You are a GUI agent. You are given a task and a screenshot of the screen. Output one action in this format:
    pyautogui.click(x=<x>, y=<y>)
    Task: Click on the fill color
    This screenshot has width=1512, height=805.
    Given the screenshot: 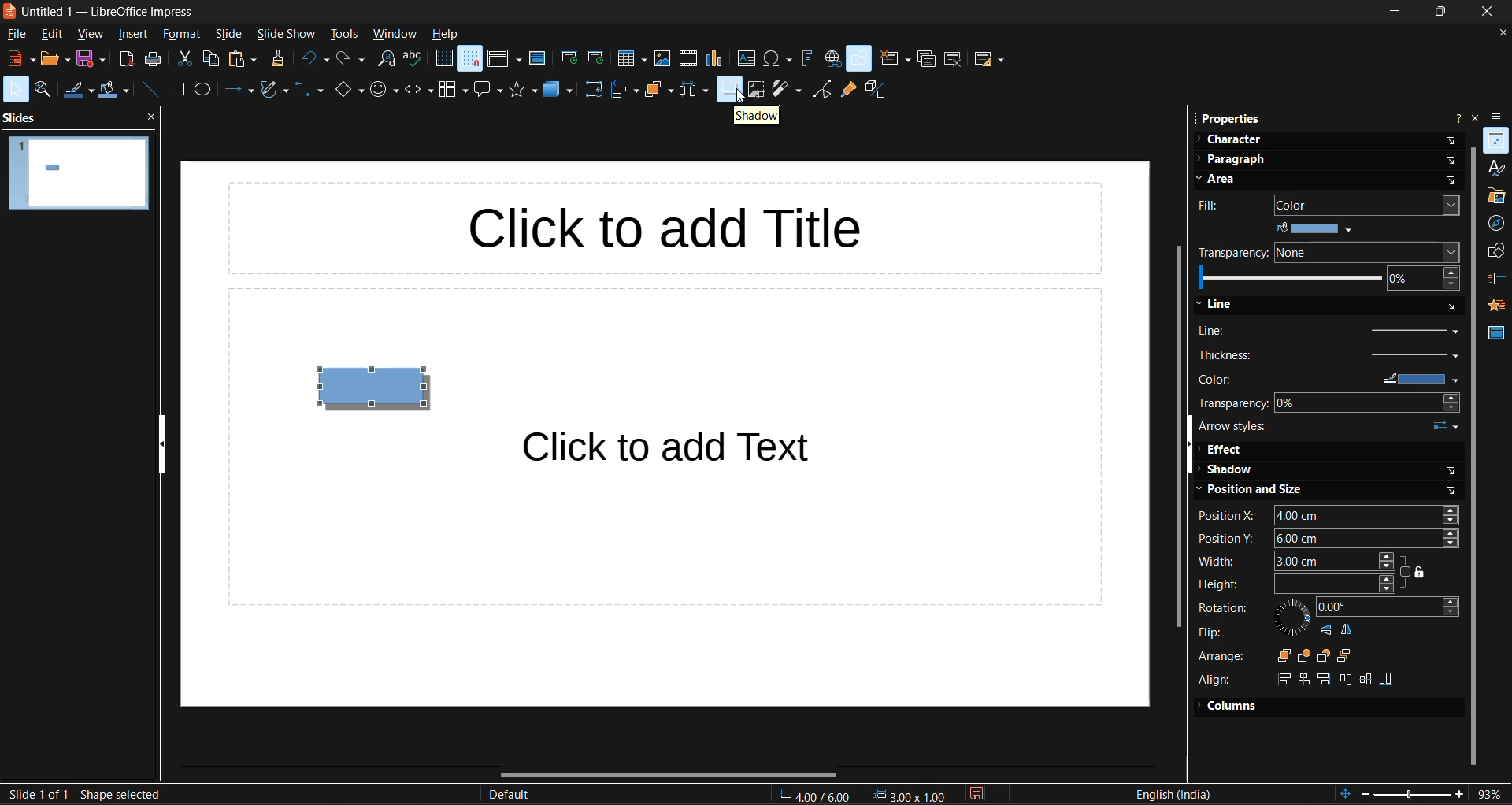 What is the action you would take?
    pyautogui.click(x=1313, y=229)
    